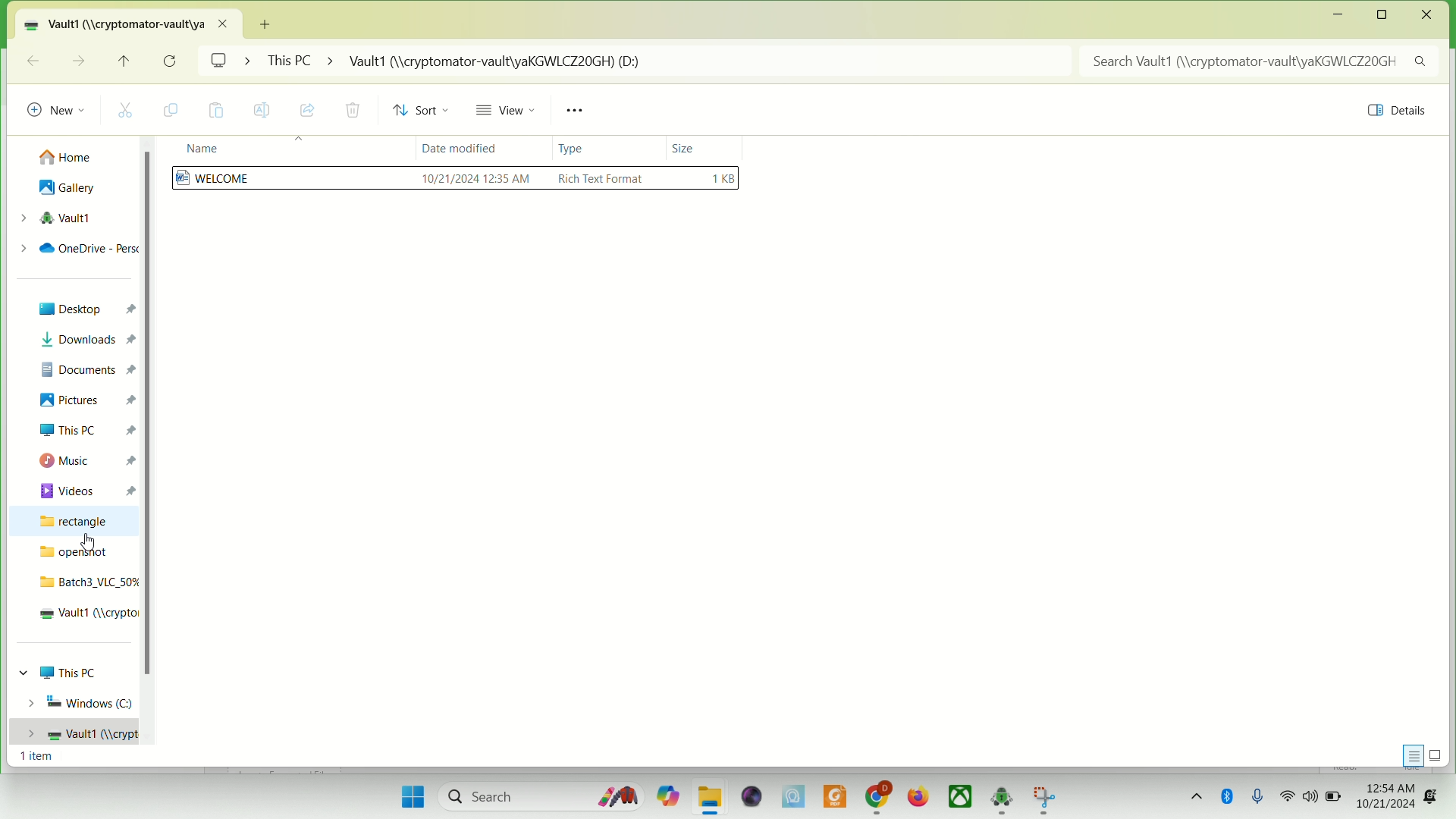 This screenshot has height=819, width=1456. Describe the element at coordinates (352, 111) in the screenshot. I see `delete` at that location.